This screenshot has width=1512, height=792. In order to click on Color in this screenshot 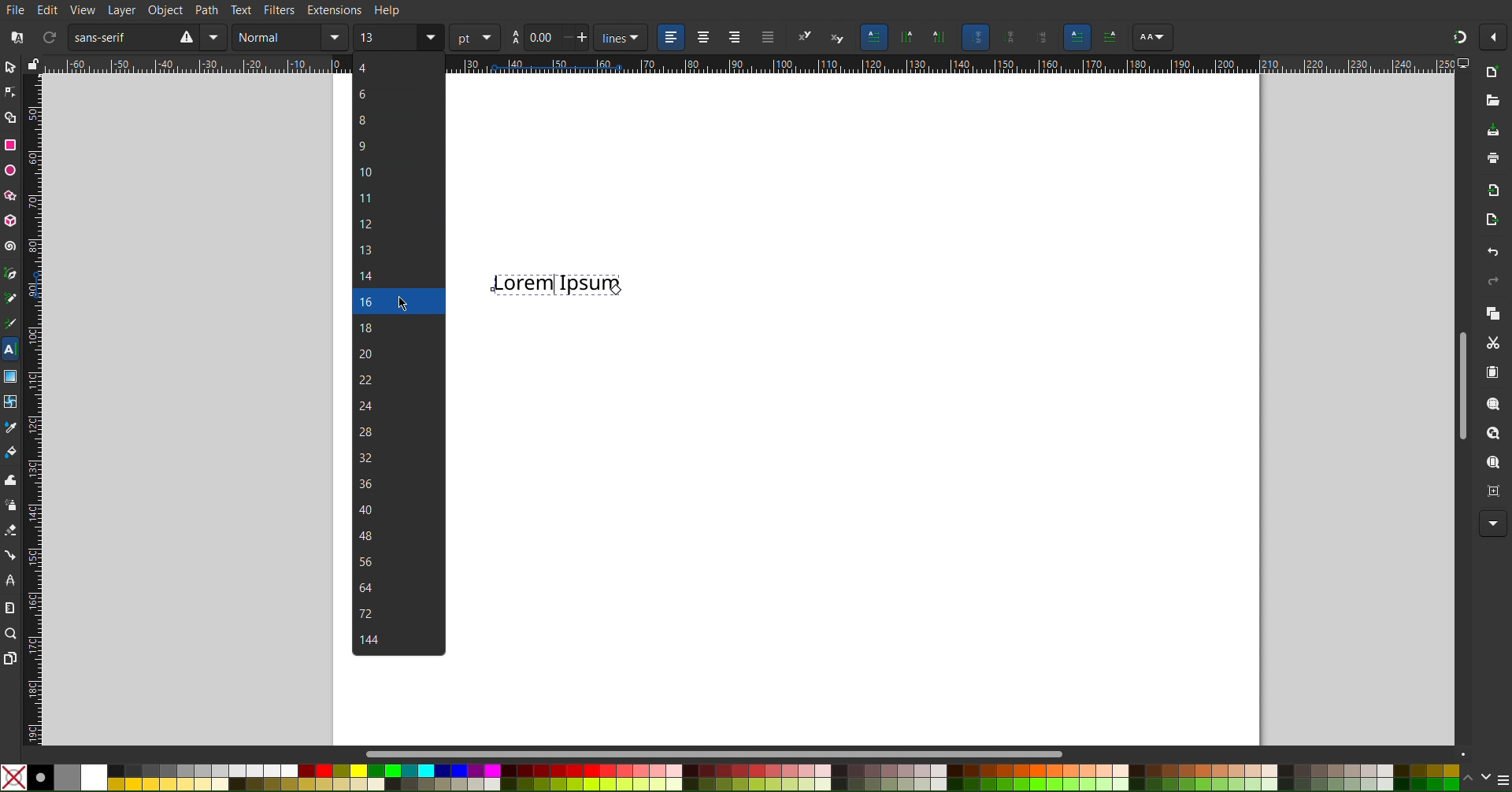, I will do `click(729, 778)`.